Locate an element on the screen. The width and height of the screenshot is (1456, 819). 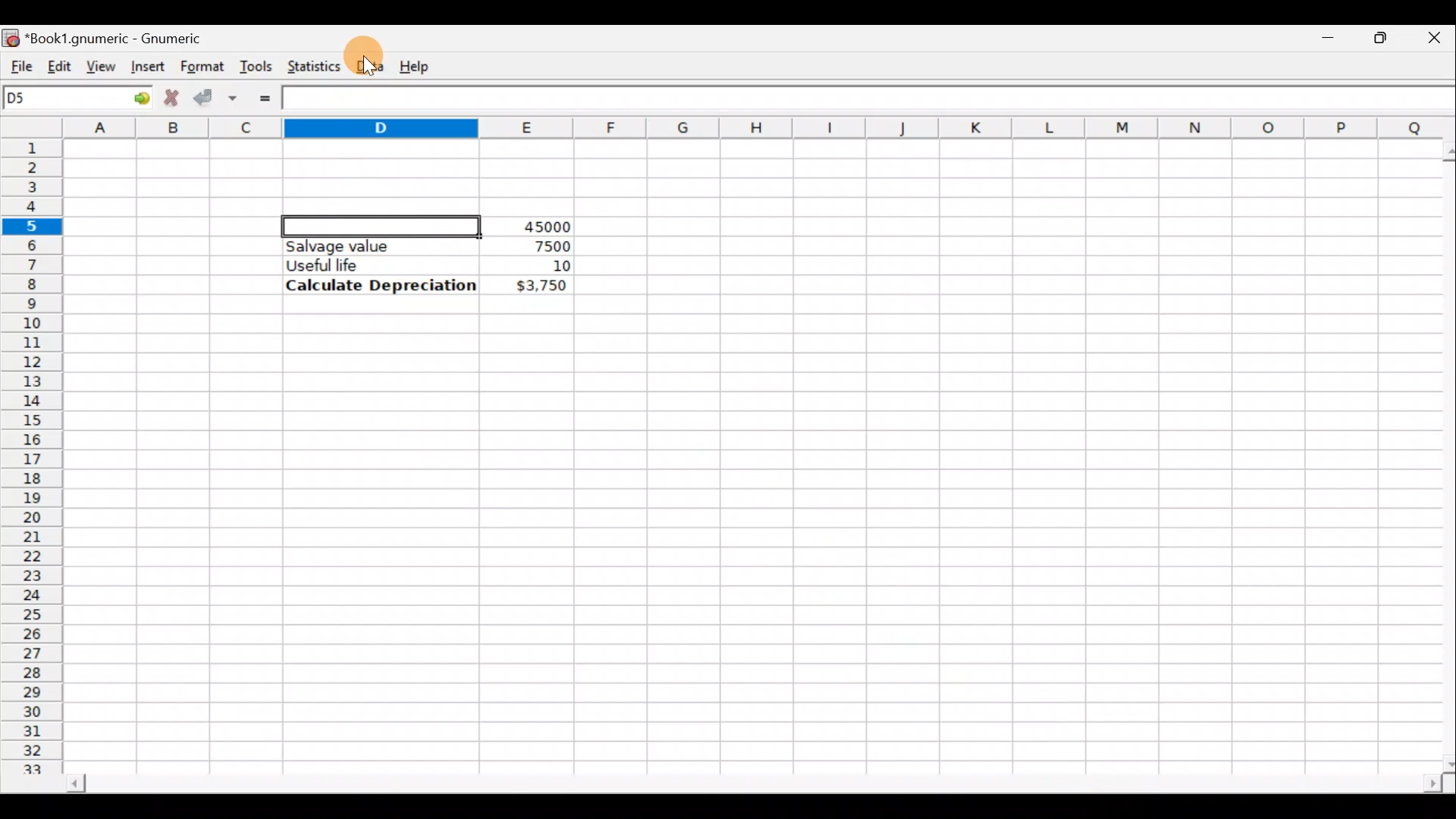
10 is located at coordinates (543, 266).